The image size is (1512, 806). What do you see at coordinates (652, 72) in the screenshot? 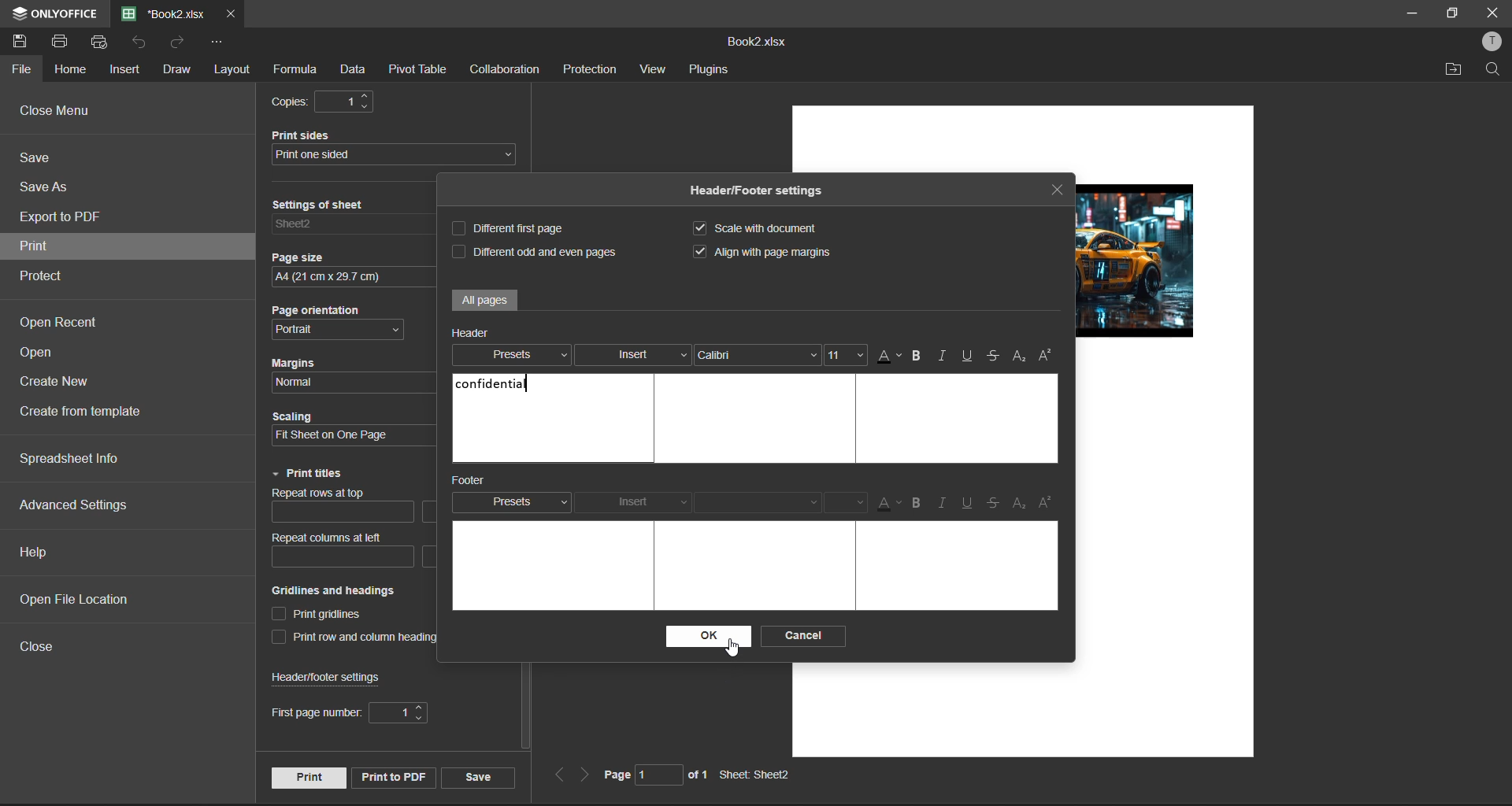
I see `view` at bounding box center [652, 72].